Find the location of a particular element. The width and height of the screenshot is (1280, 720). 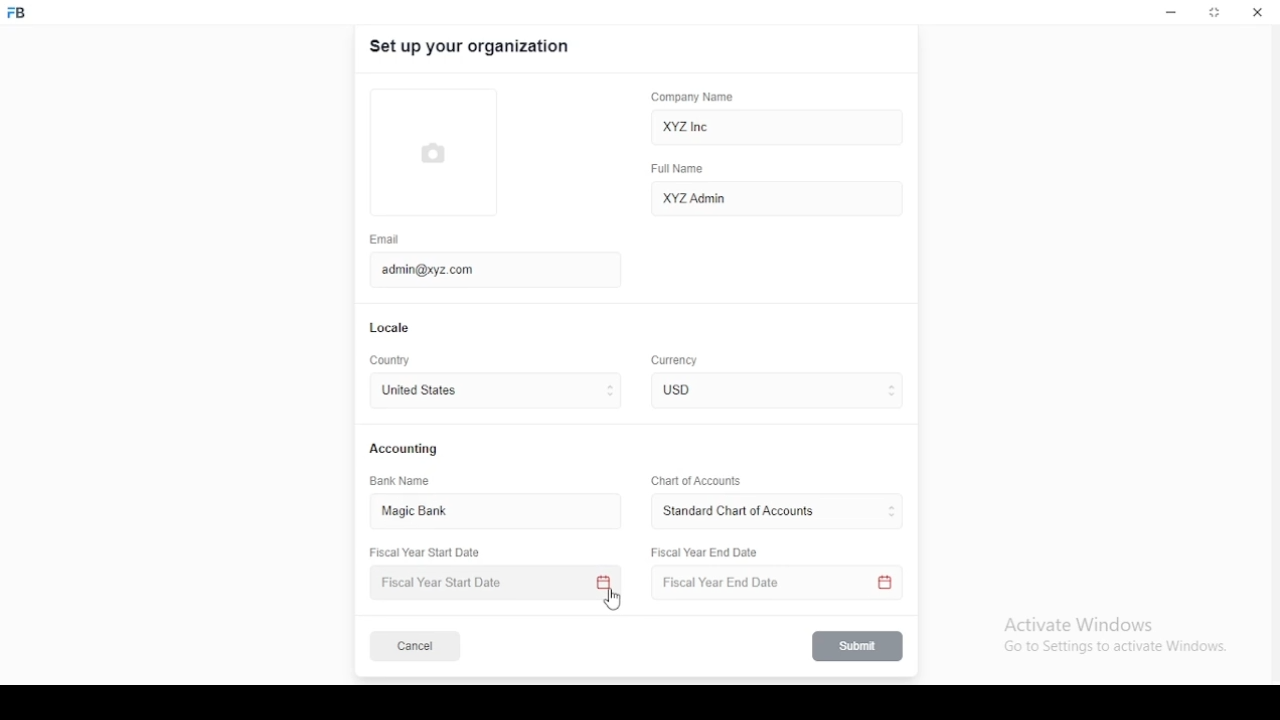

set up your organization is located at coordinates (471, 47).